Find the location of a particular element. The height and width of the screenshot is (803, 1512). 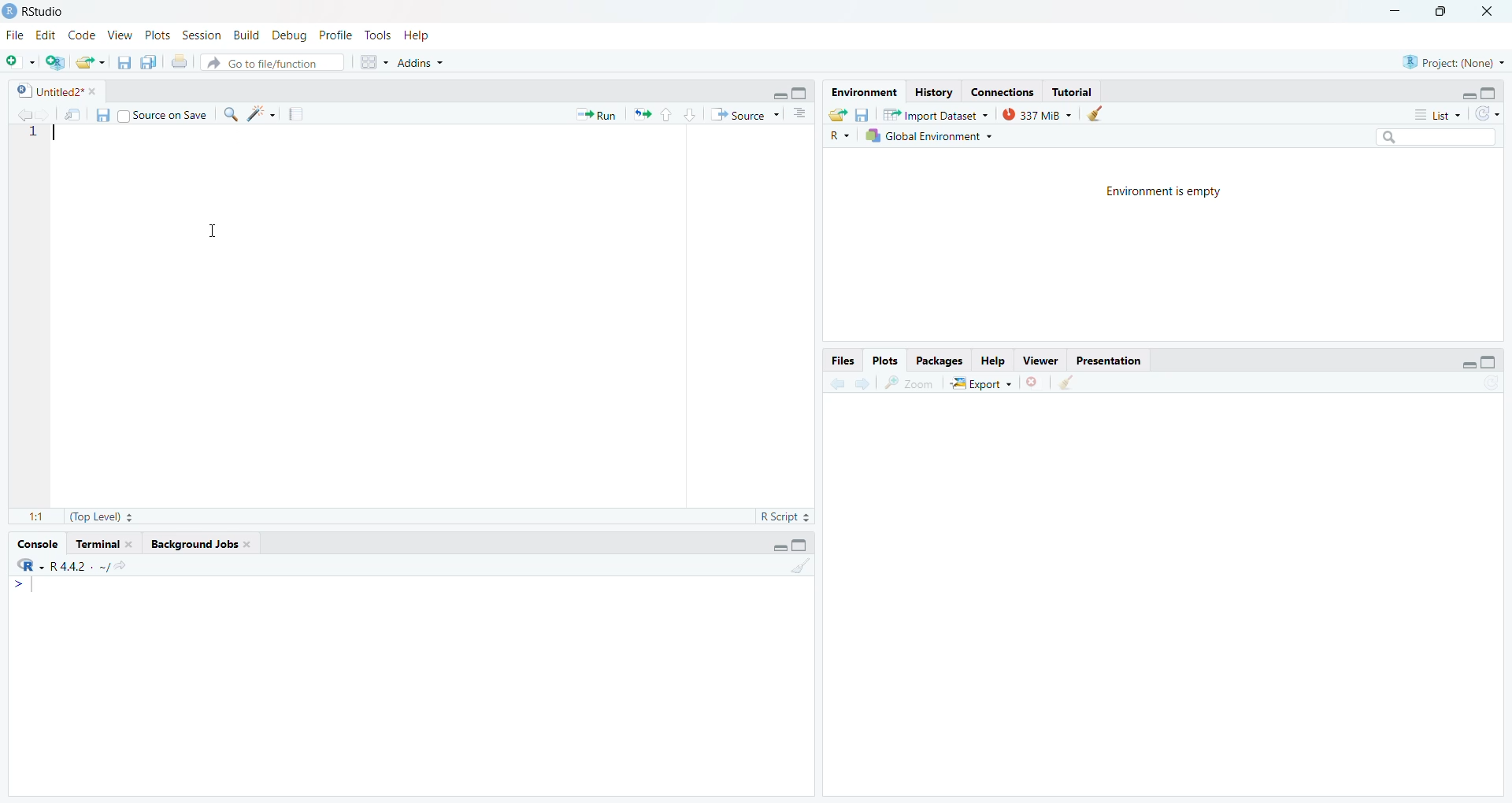

go forward is located at coordinates (864, 384).